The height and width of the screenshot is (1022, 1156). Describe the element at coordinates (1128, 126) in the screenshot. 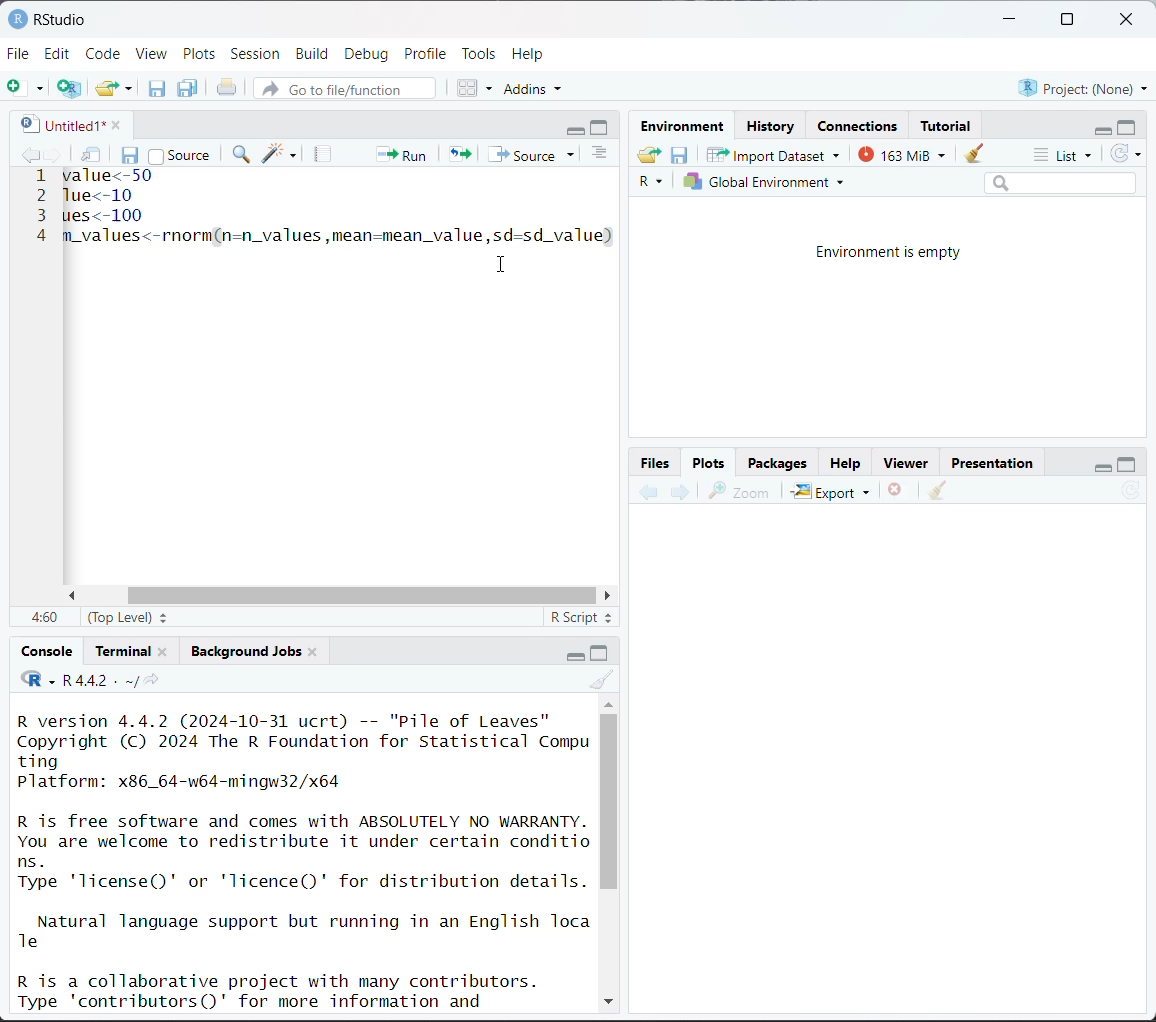

I see `maximize` at that location.